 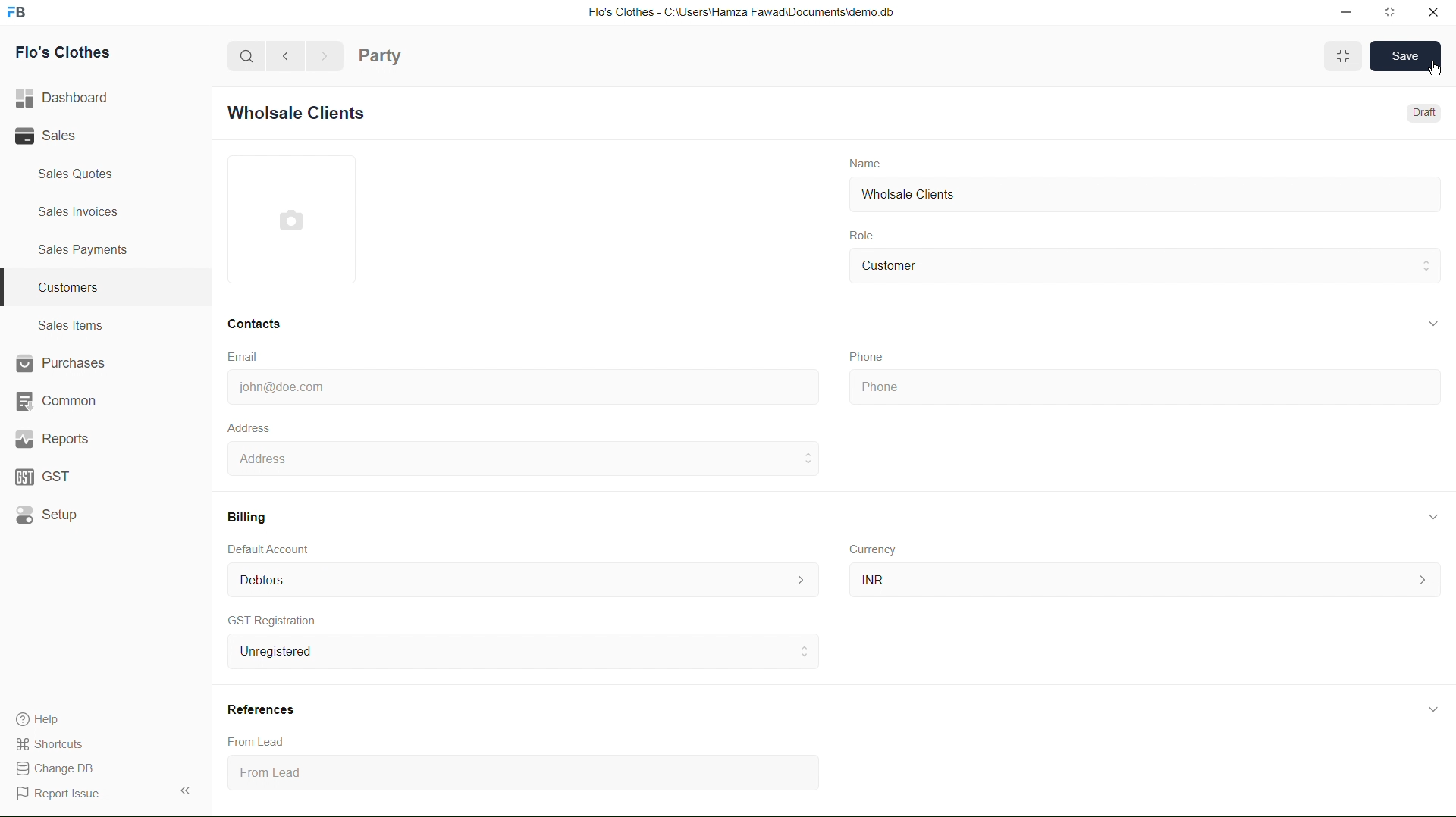 I want to click on GST Registration, so click(x=274, y=621).